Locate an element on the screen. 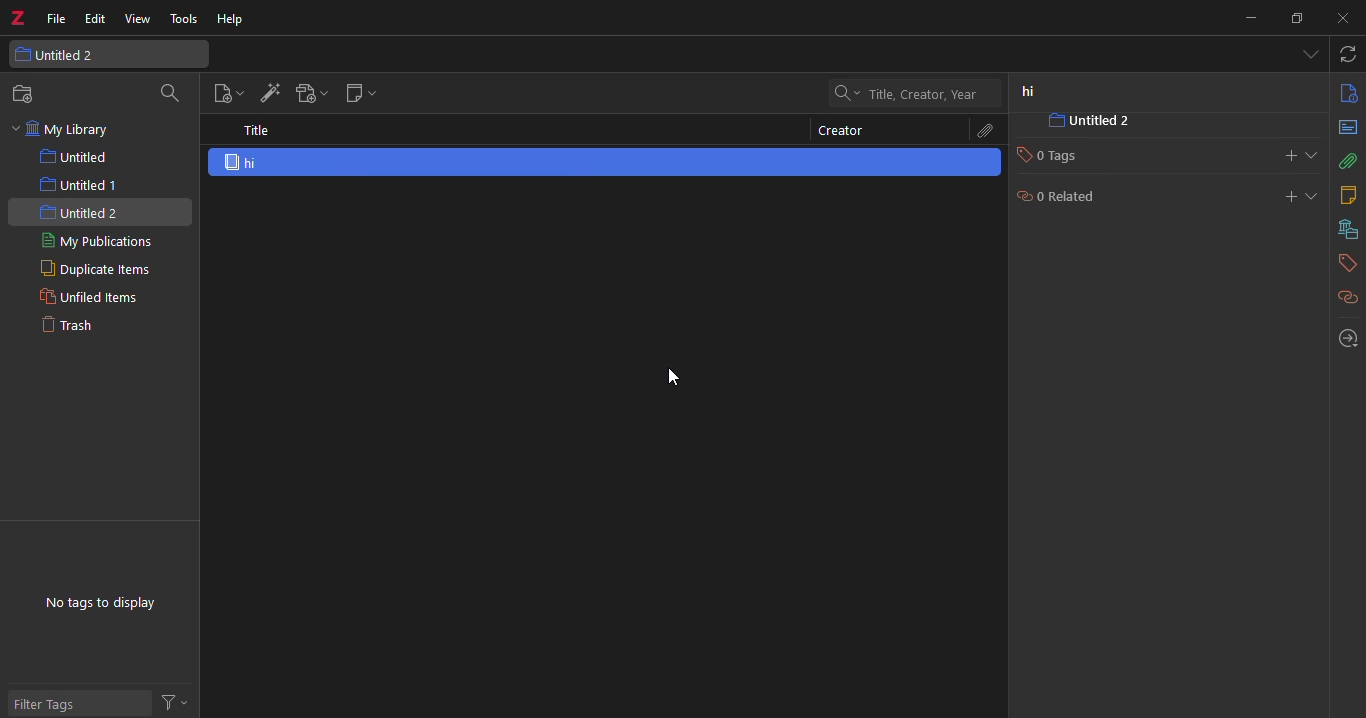 The height and width of the screenshot is (718, 1366). untitled 1 is located at coordinates (79, 183).